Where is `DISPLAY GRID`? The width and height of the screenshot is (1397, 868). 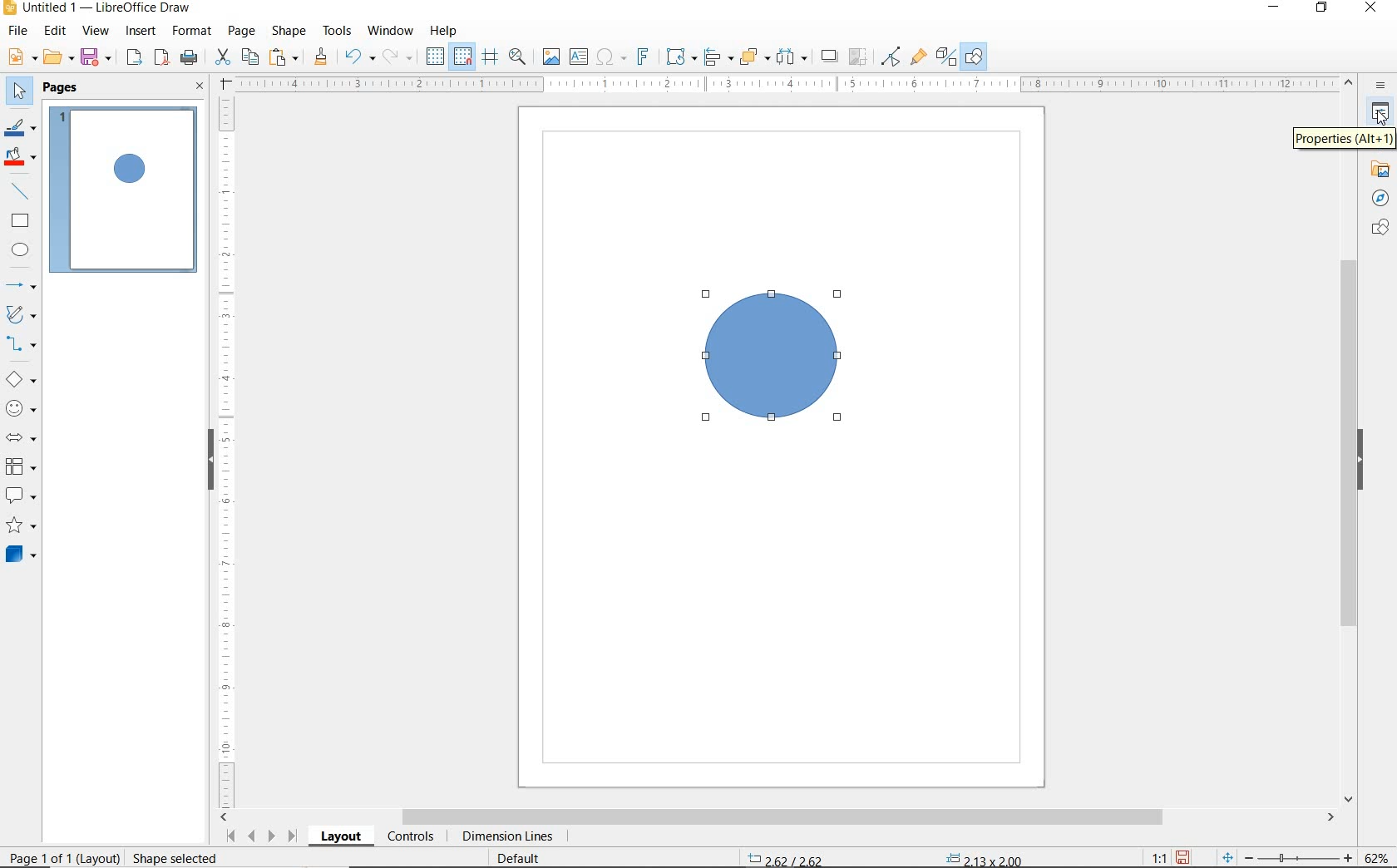
DISPLAY GRID is located at coordinates (434, 57).